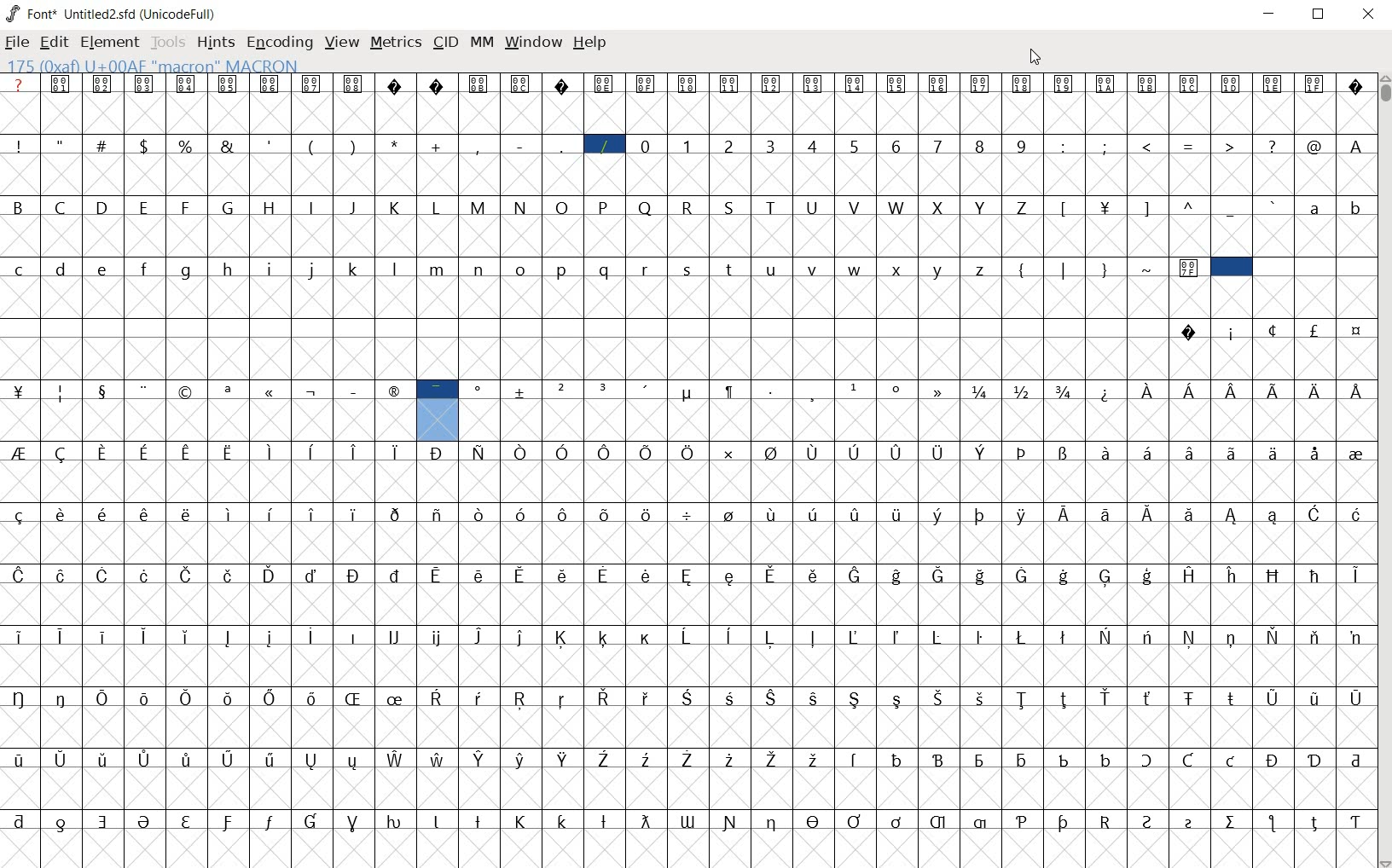  I want to click on special characters, so click(1021, 472).